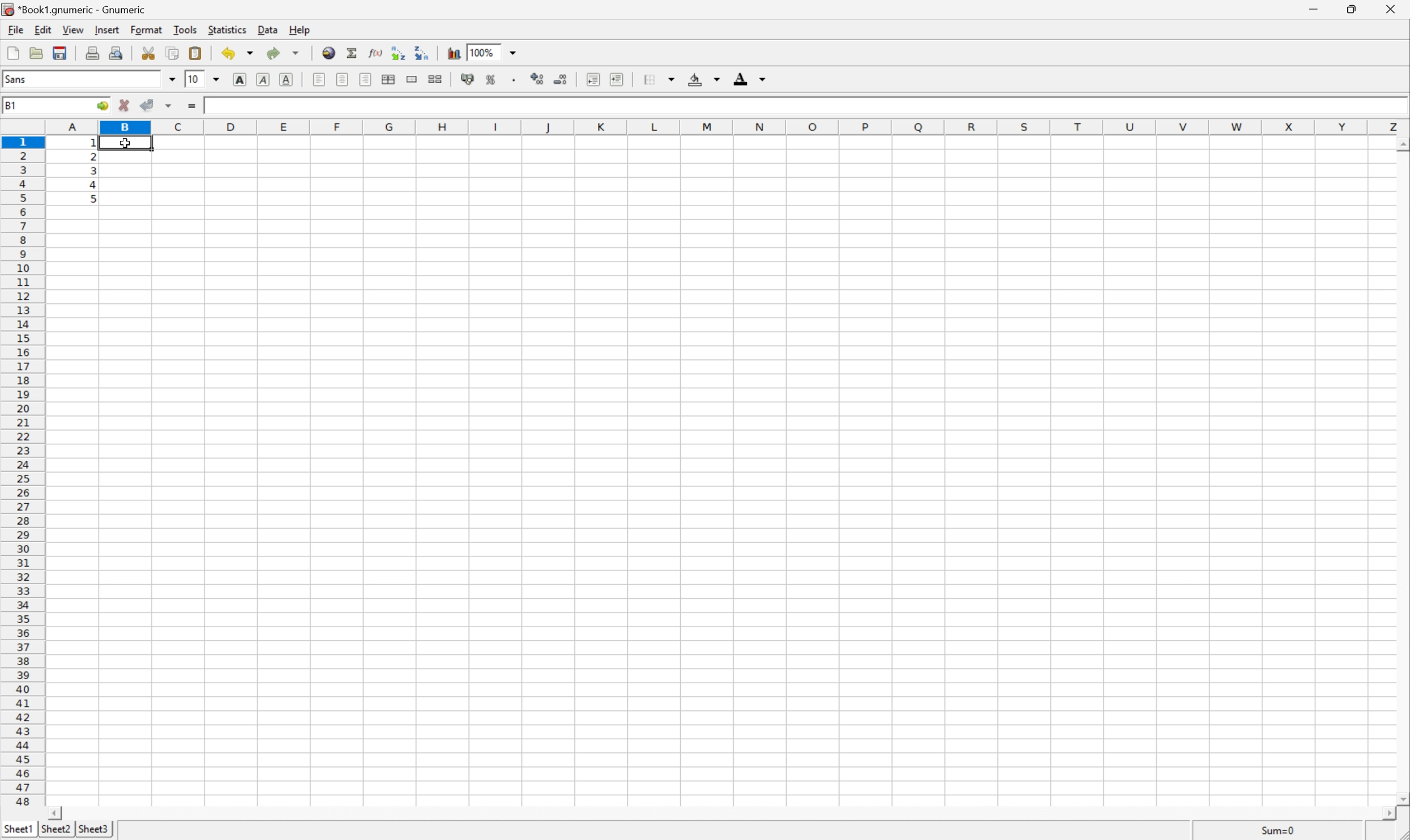  Describe the element at coordinates (102, 104) in the screenshot. I see `Go to` at that location.